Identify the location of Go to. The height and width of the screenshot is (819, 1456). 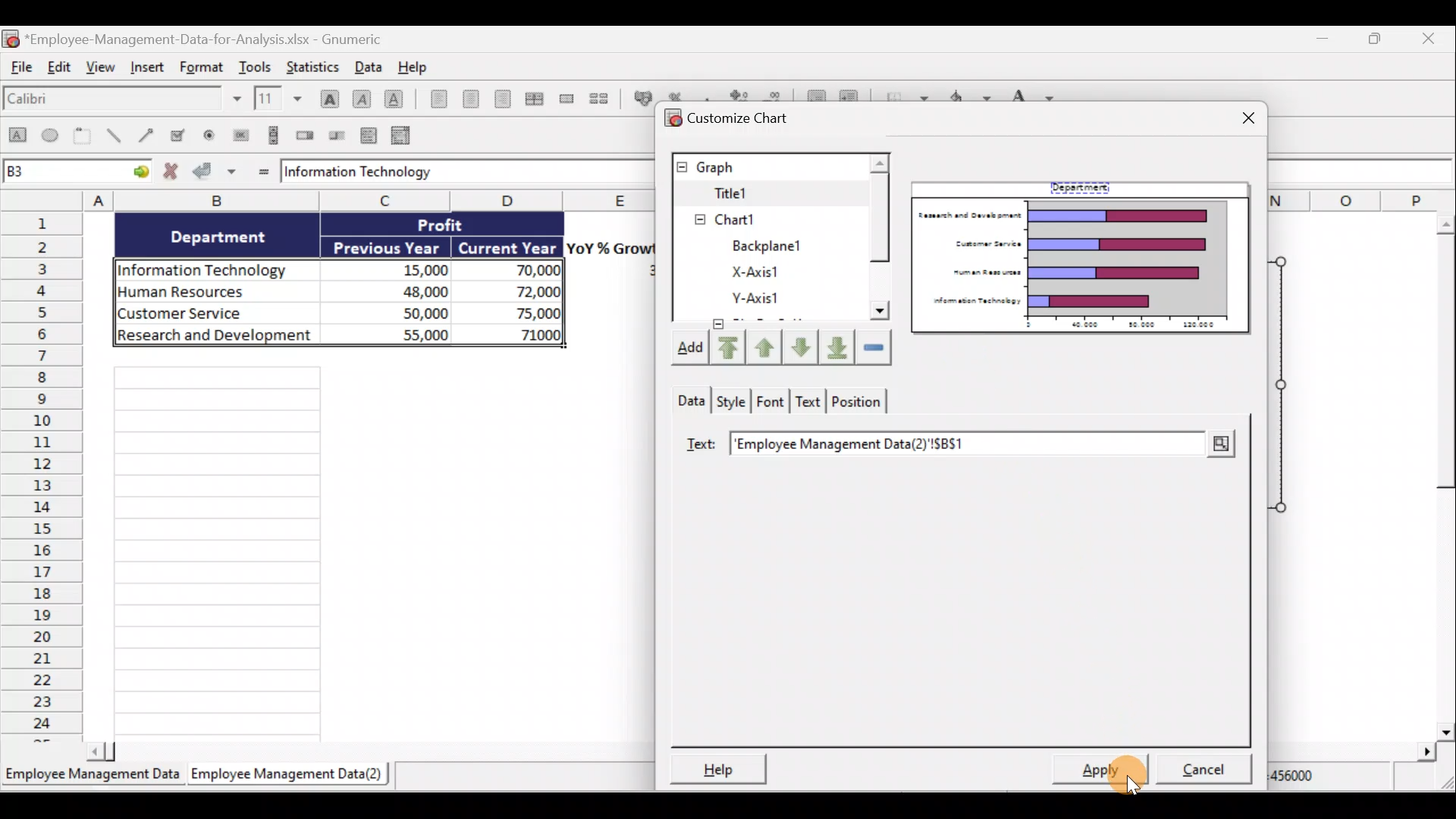
(138, 174).